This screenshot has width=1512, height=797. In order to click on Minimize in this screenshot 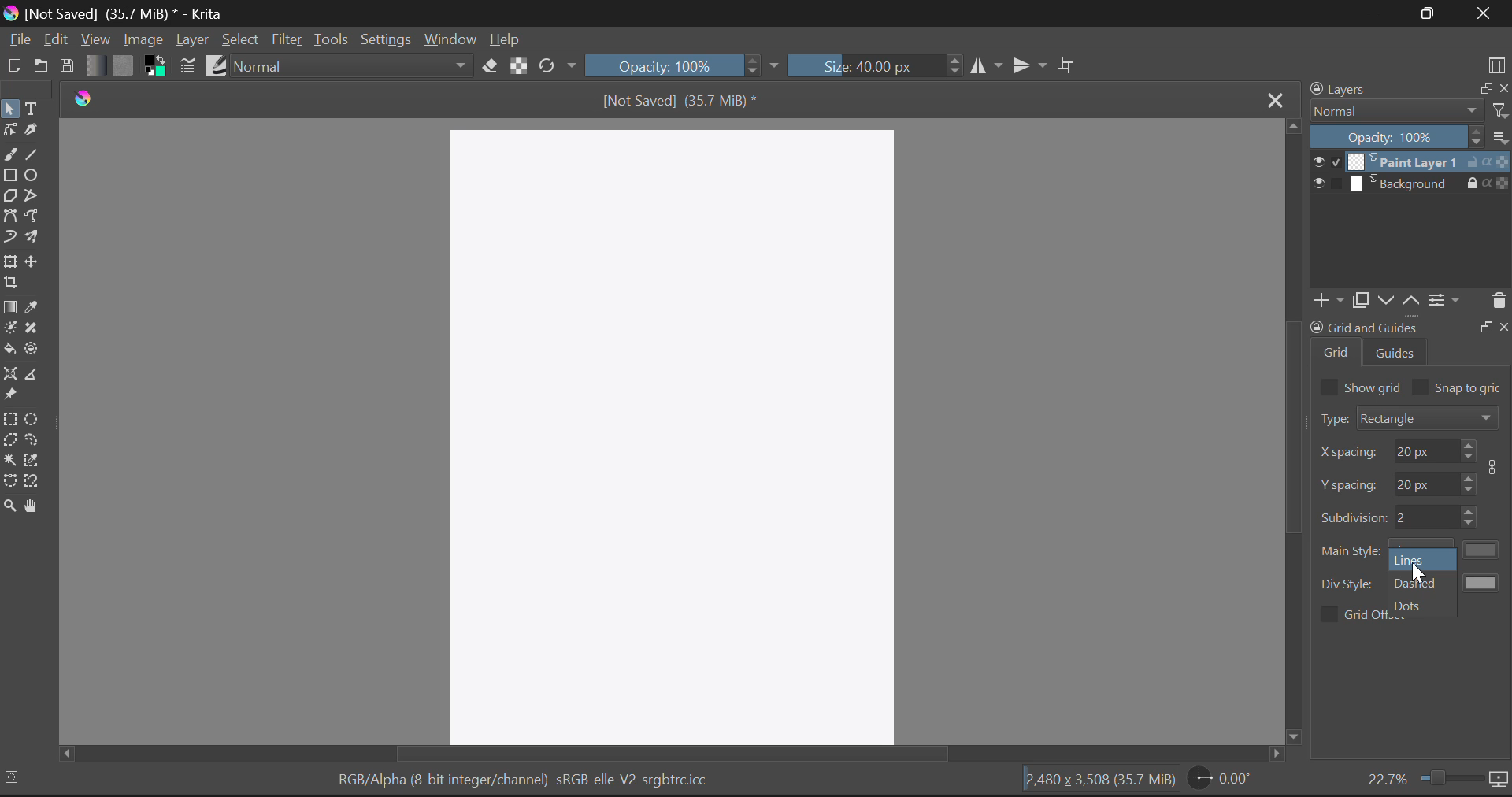, I will do `click(1433, 13)`.